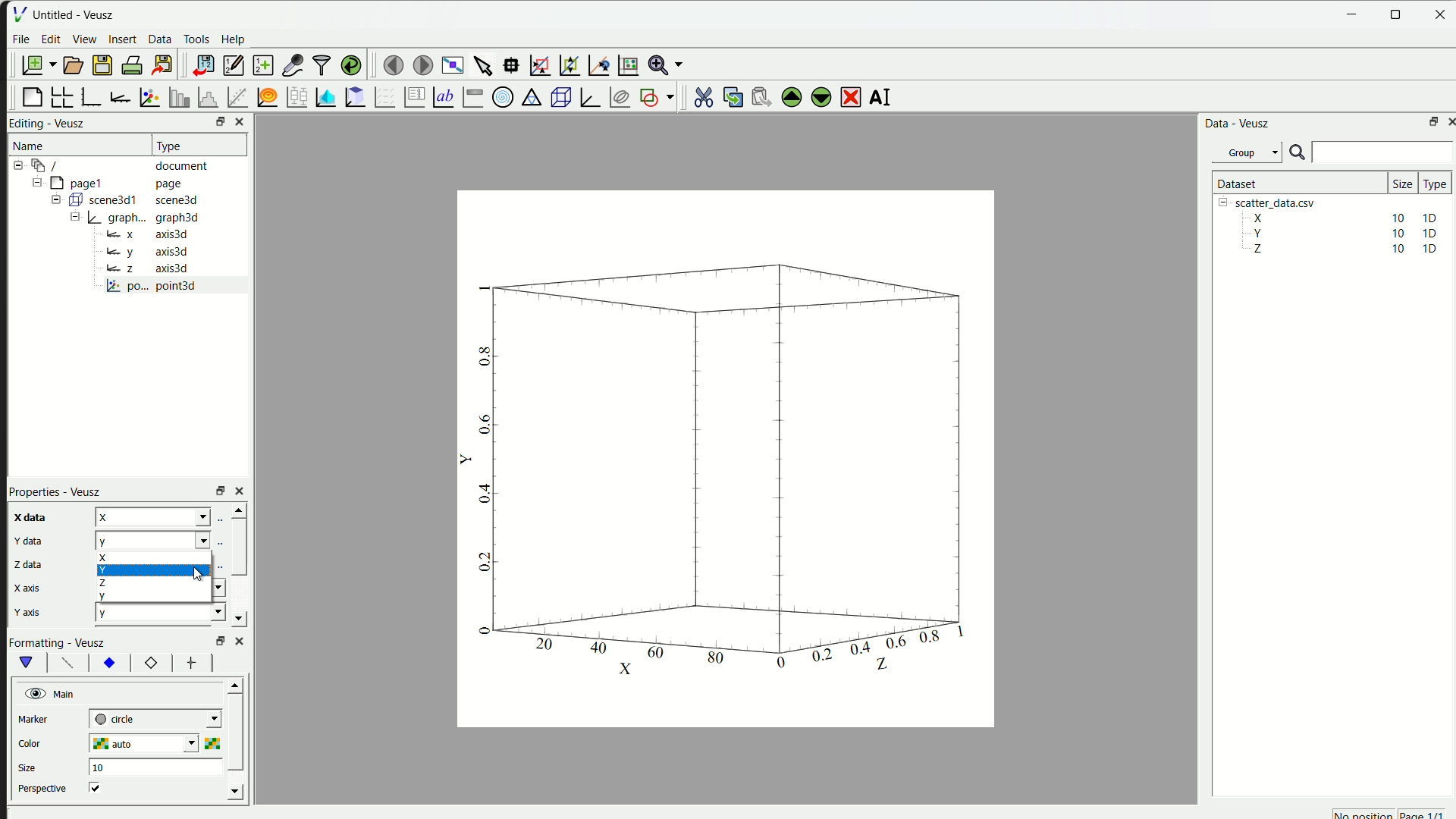 This screenshot has width=1456, height=819. Describe the element at coordinates (65, 663) in the screenshot. I see `font` at that location.